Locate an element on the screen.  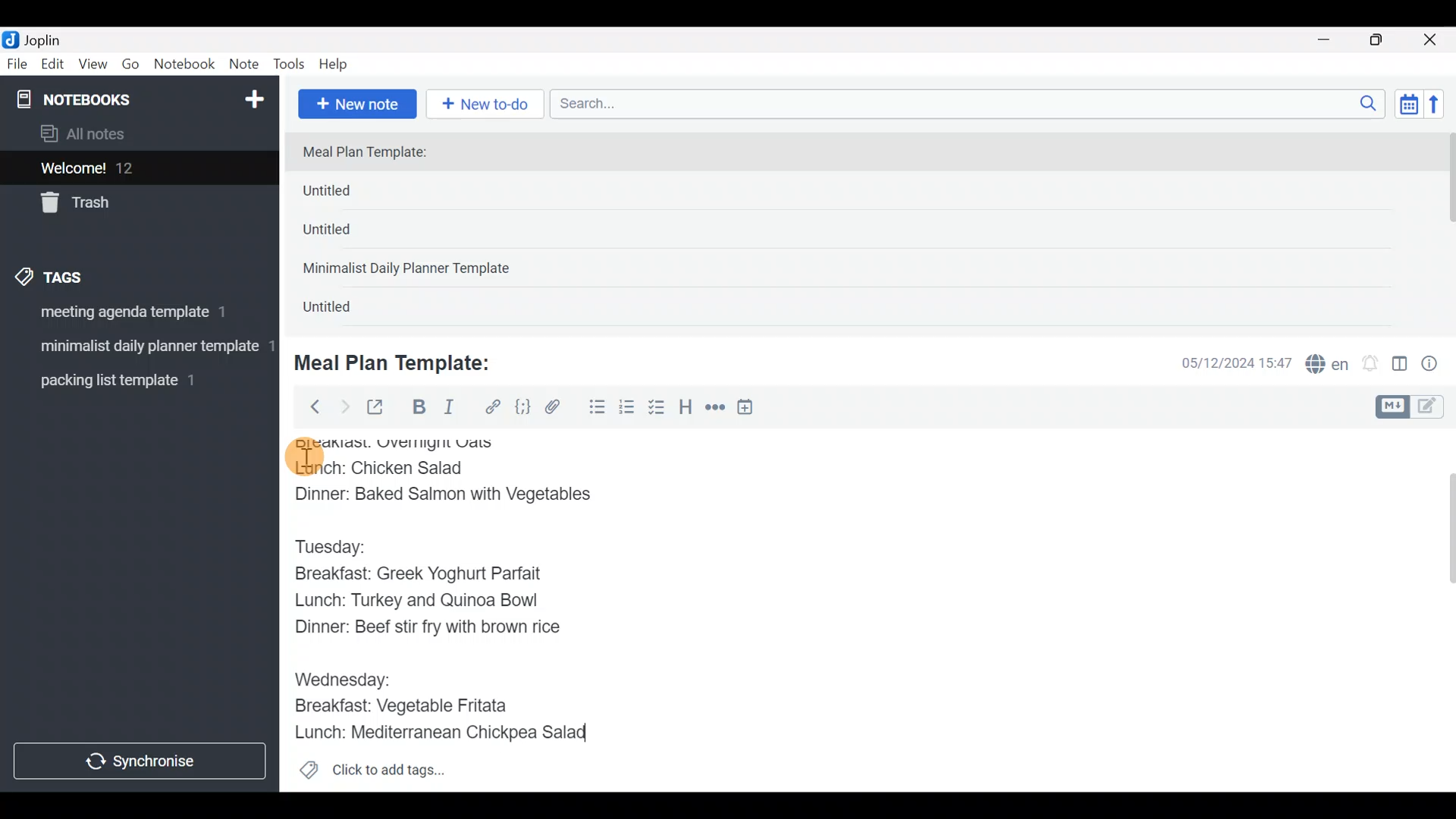
Edit is located at coordinates (53, 67).